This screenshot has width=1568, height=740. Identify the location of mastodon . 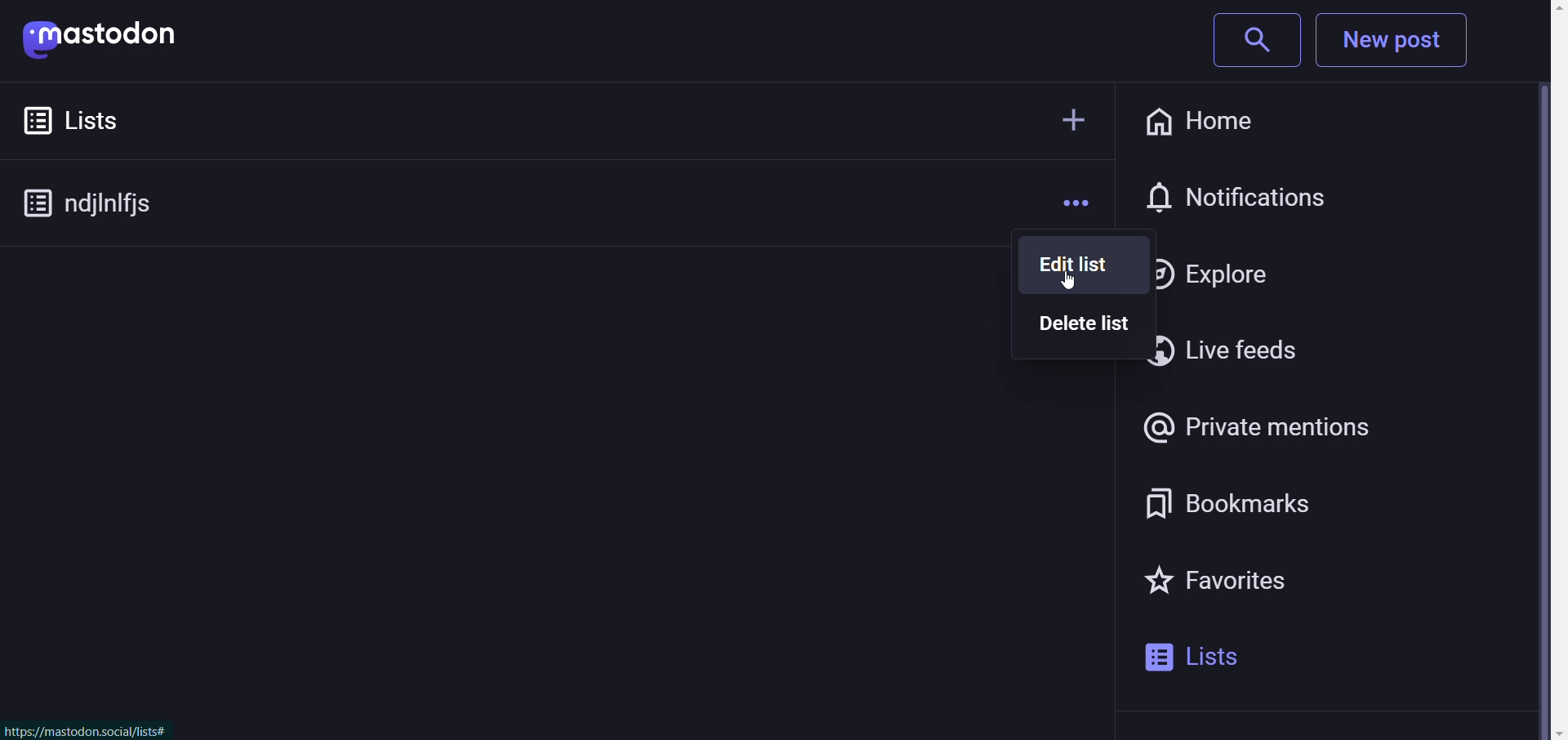
(108, 38).